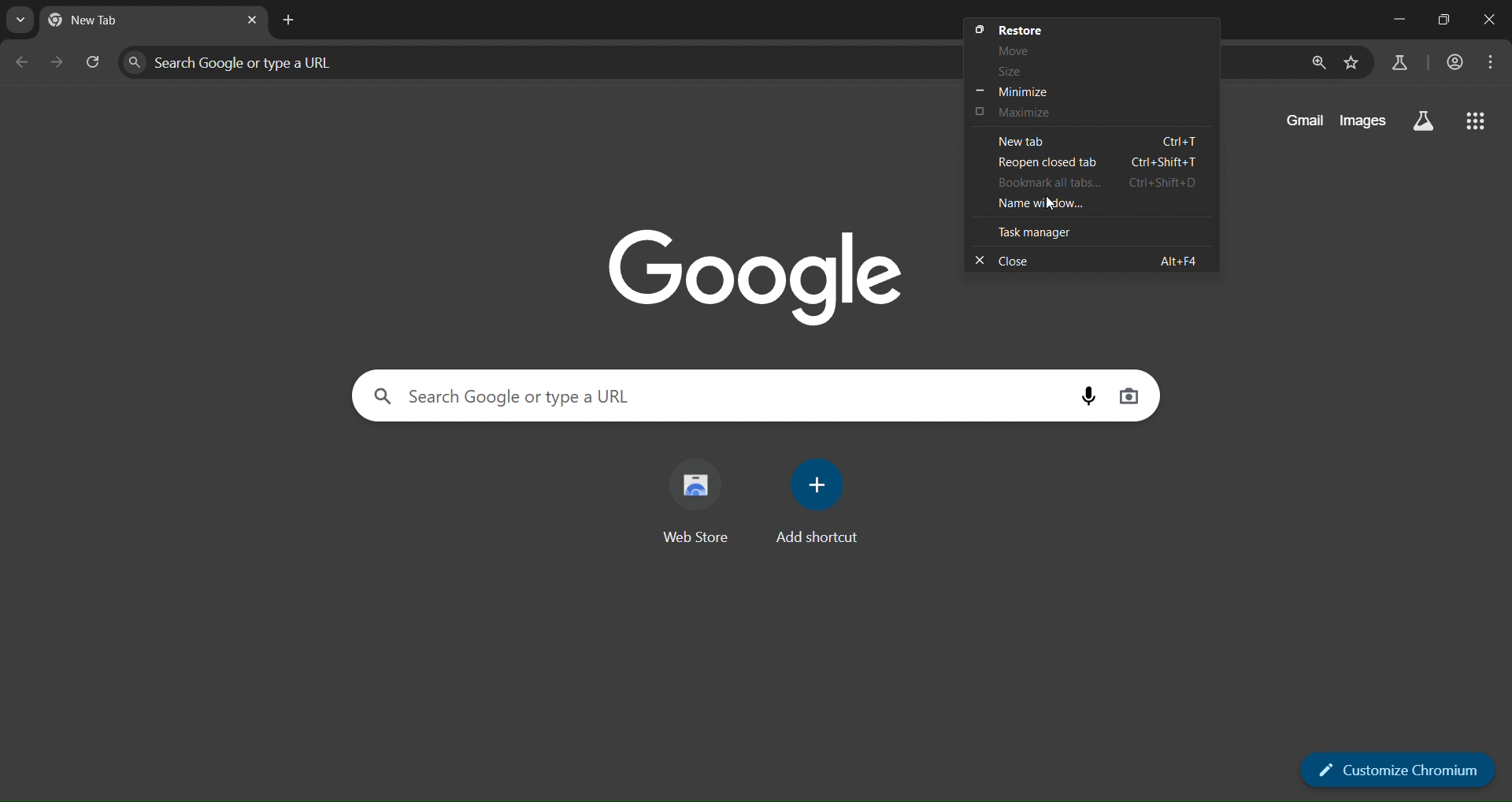 Image resolution: width=1512 pixels, height=802 pixels. I want to click on gmail, so click(1301, 122).